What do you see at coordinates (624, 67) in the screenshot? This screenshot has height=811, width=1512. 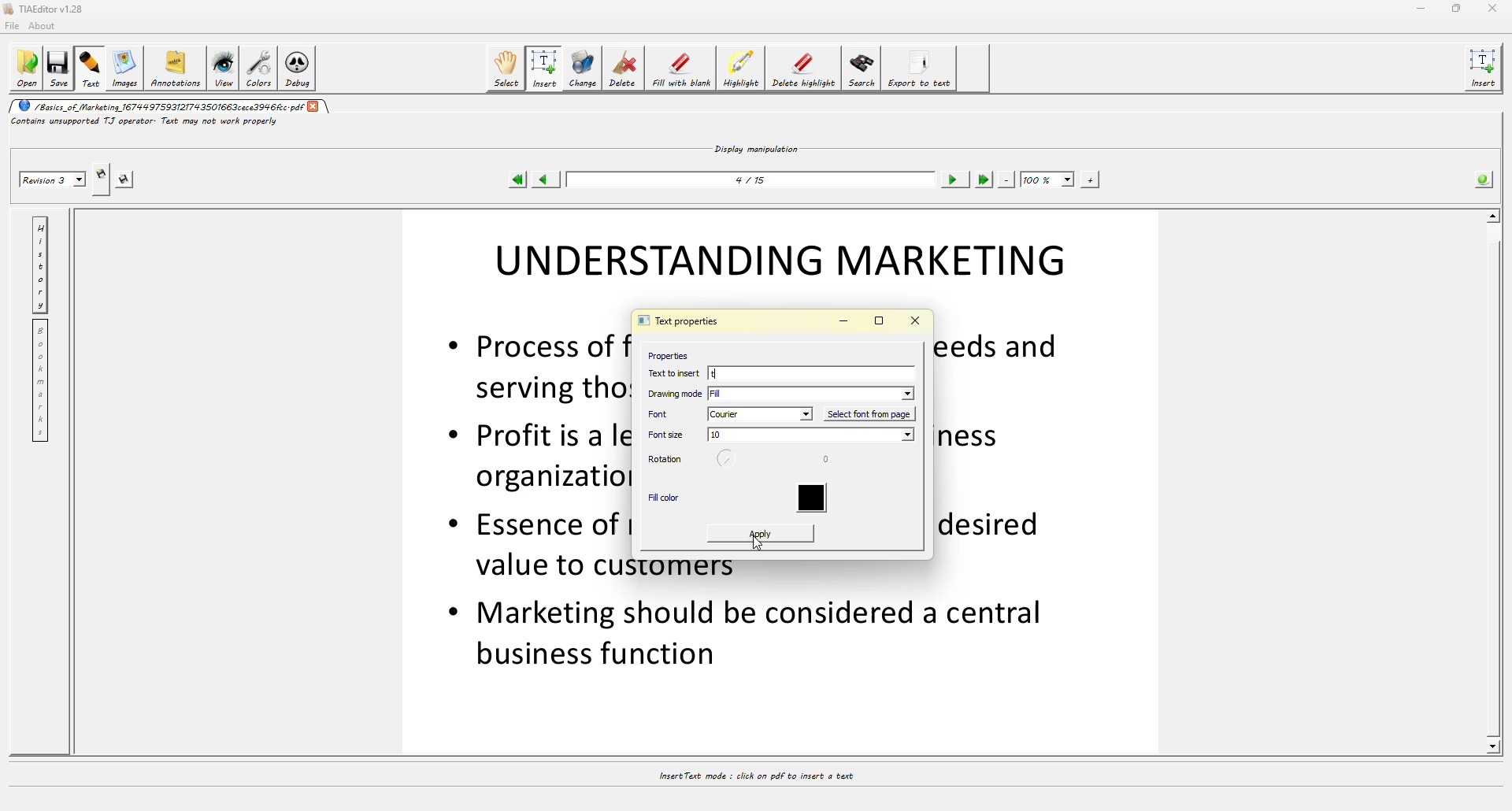 I see `delete` at bounding box center [624, 67].